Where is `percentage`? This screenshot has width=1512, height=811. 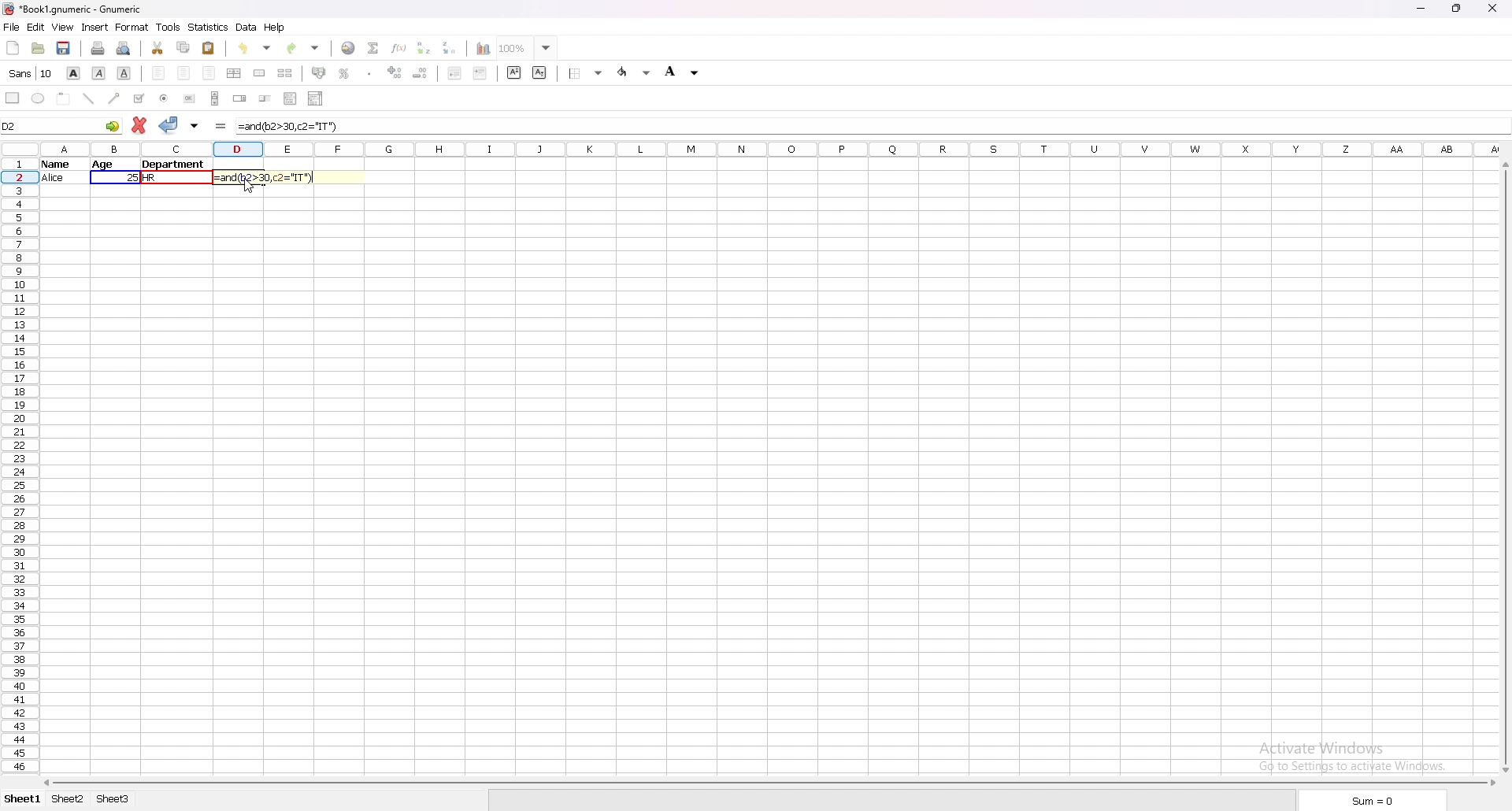 percentage is located at coordinates (343, 73).